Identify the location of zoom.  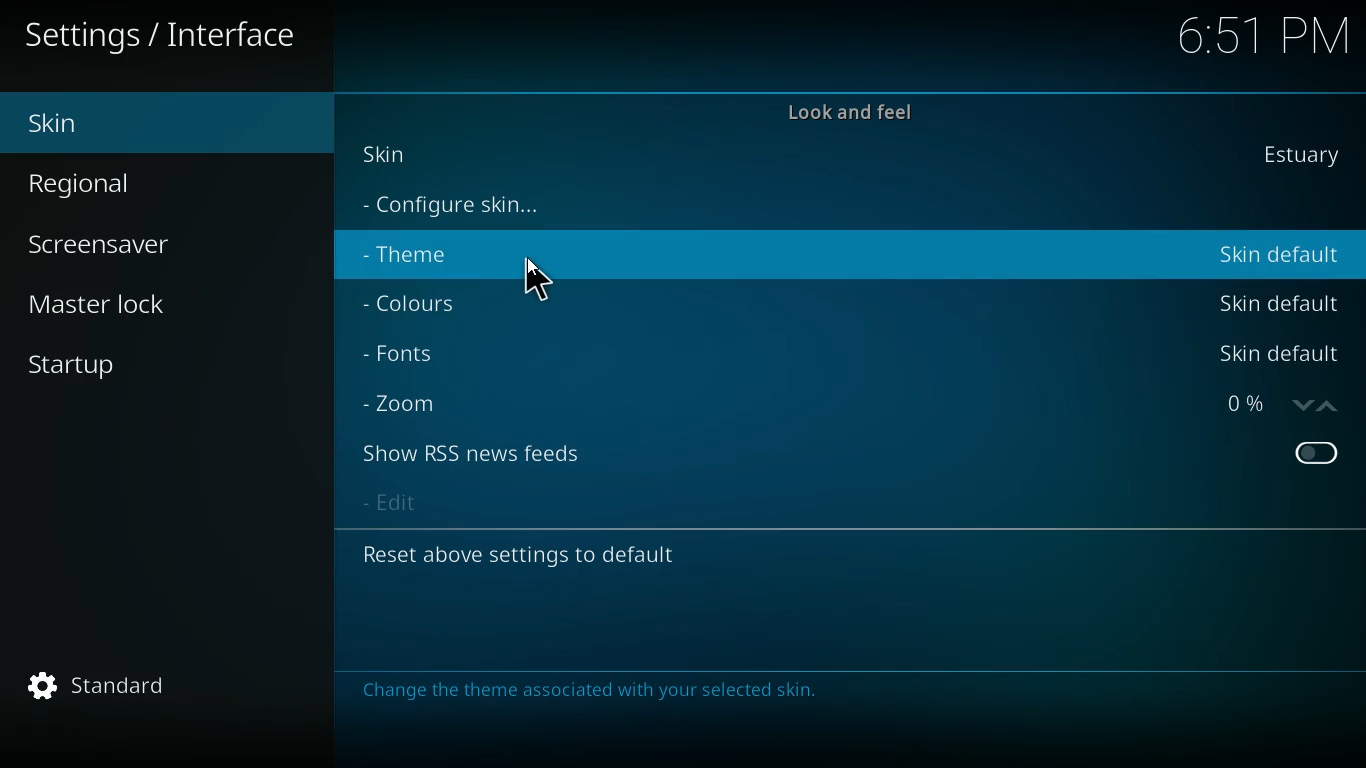
(409, 400).